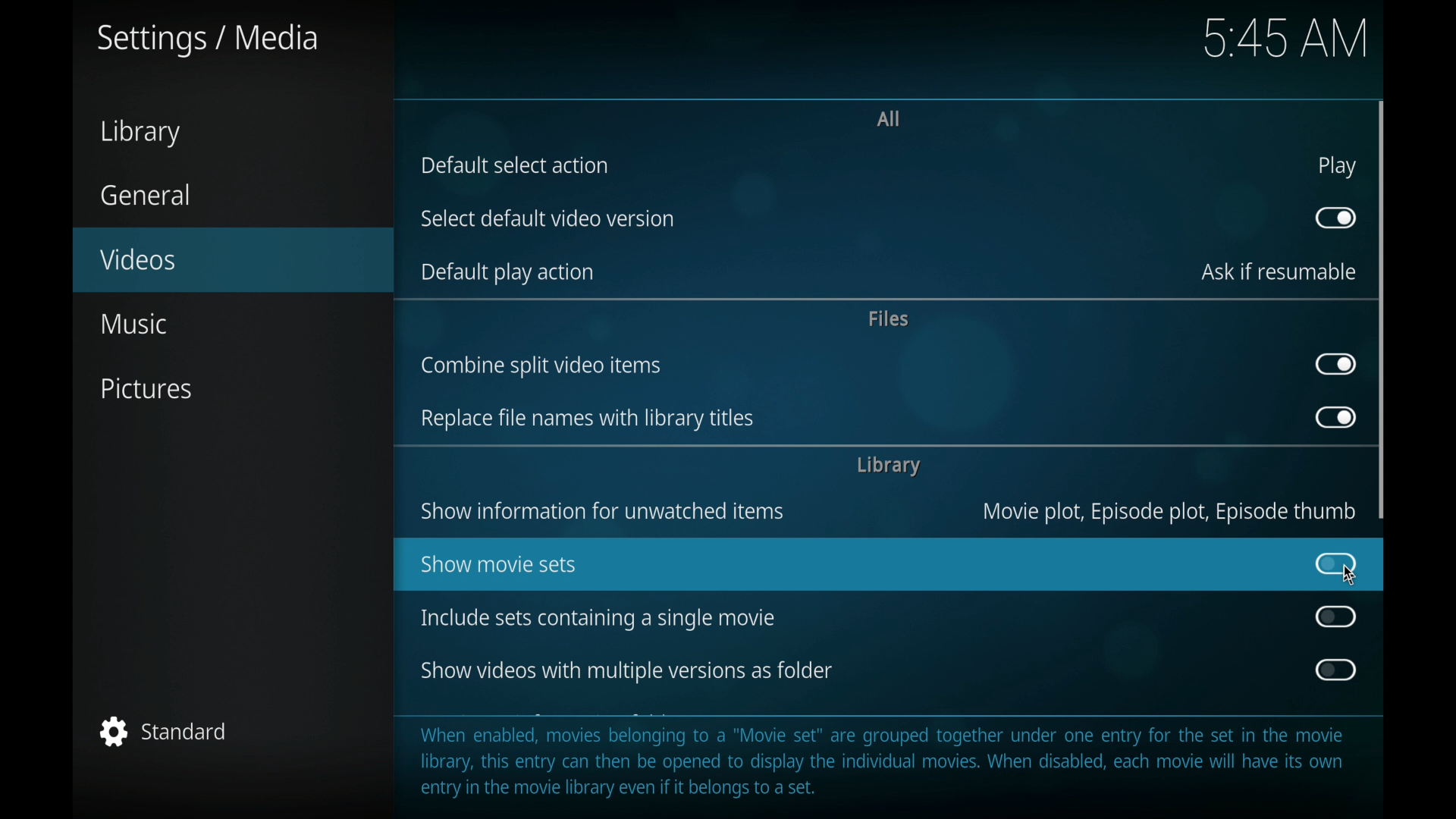 The image size is (1456, 819). Describe the element at coordinates (602, 511) in the screenshot. I see `show information ` at that location.